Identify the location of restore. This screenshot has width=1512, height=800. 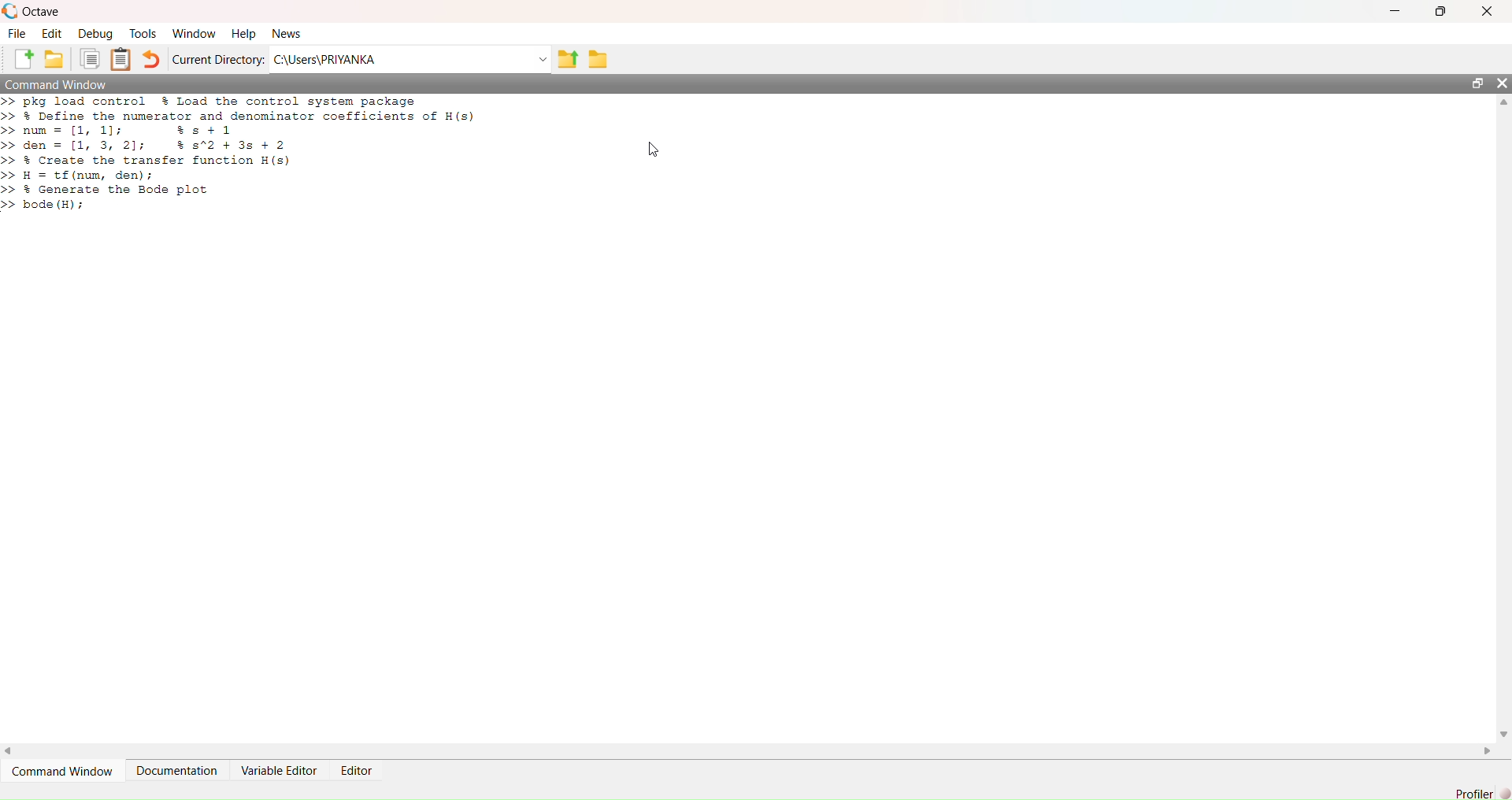
(1440, 11).